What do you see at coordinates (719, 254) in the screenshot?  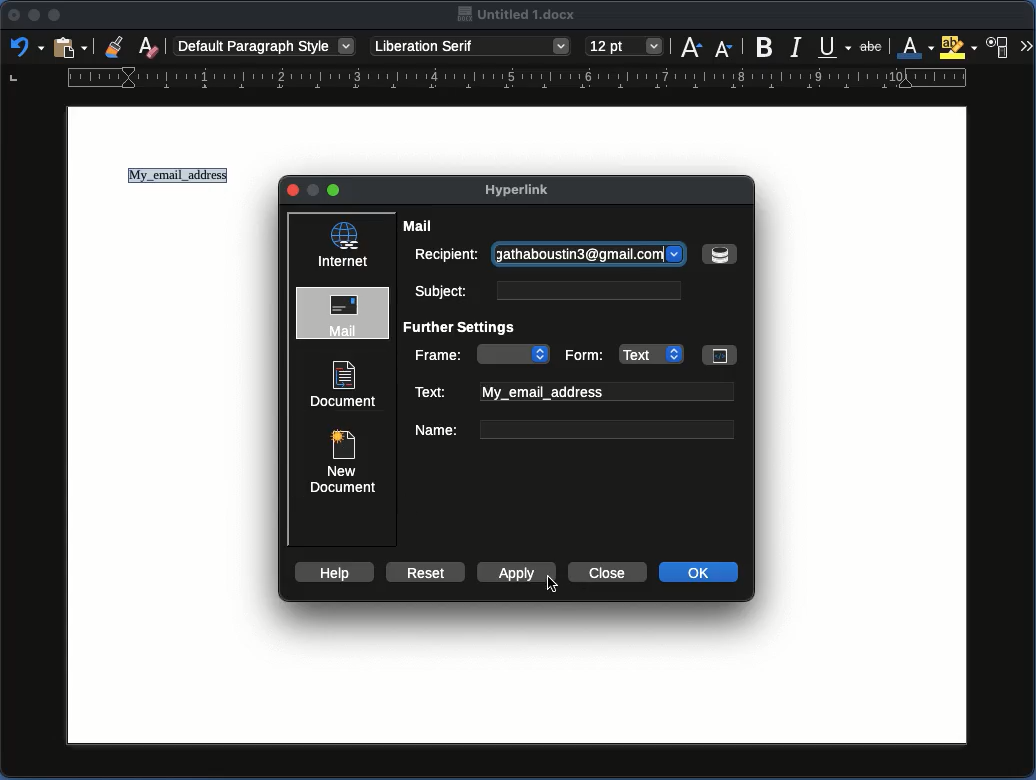 I see `Symbol` at bounding box center [719, 254].